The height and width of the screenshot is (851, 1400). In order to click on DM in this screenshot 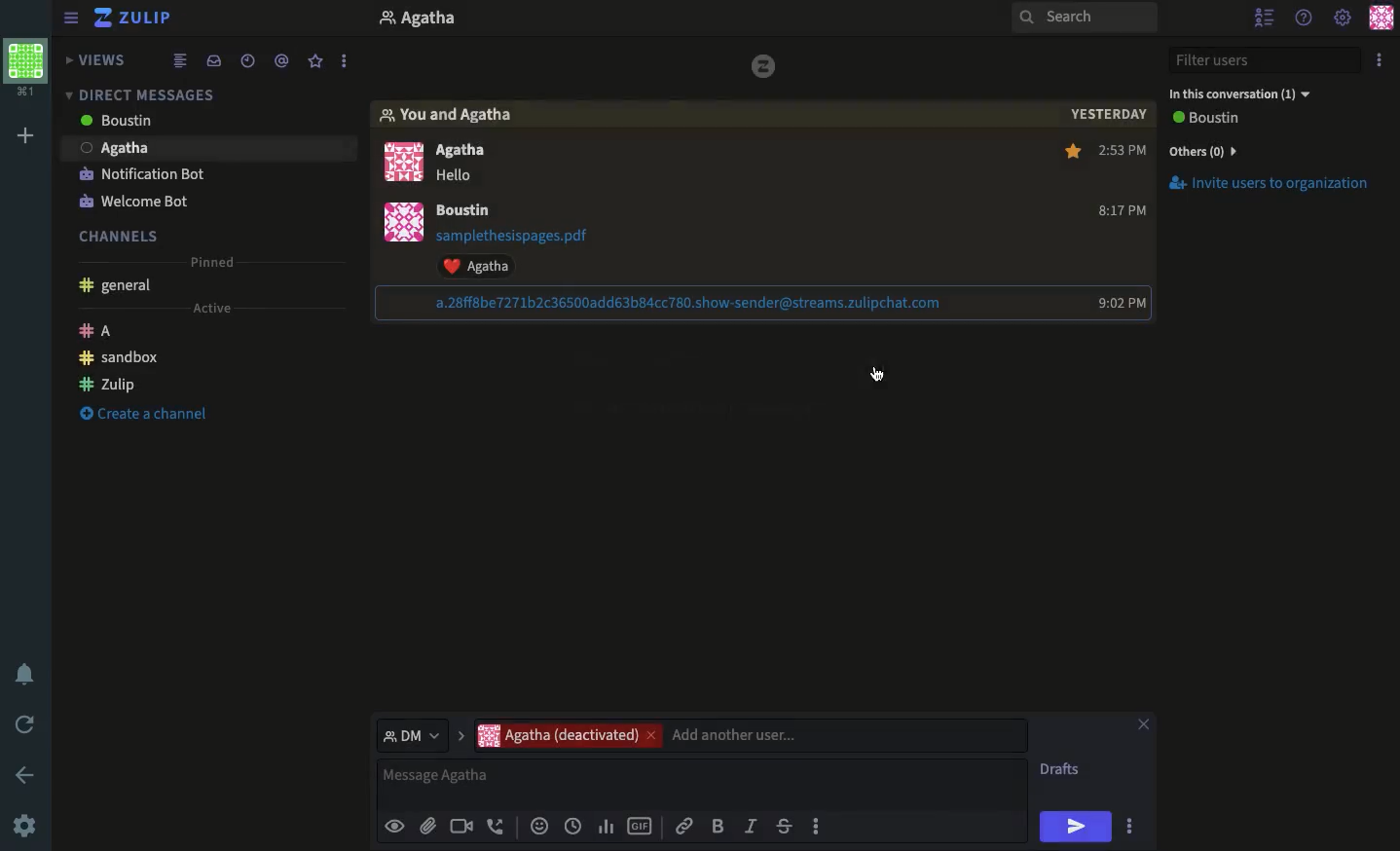, I will do `click(420, 734)`.